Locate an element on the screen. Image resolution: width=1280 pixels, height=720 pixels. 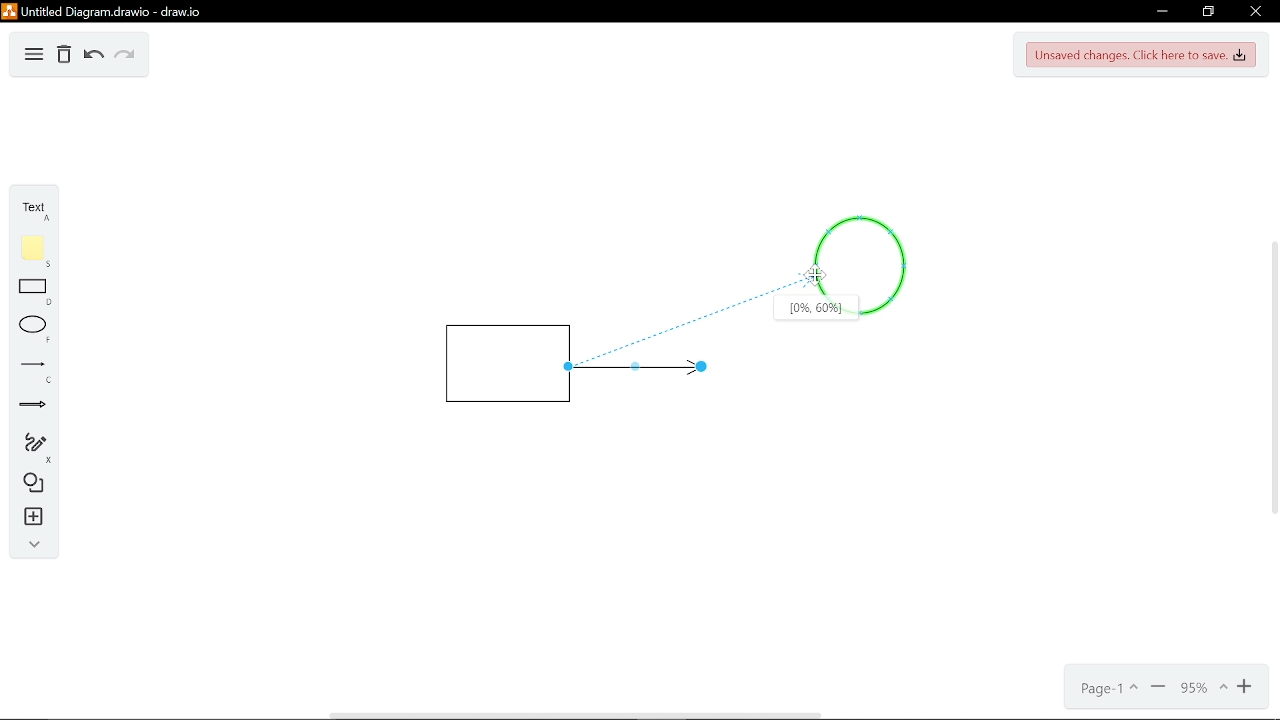
Close is located at coordinates (1254, 12).